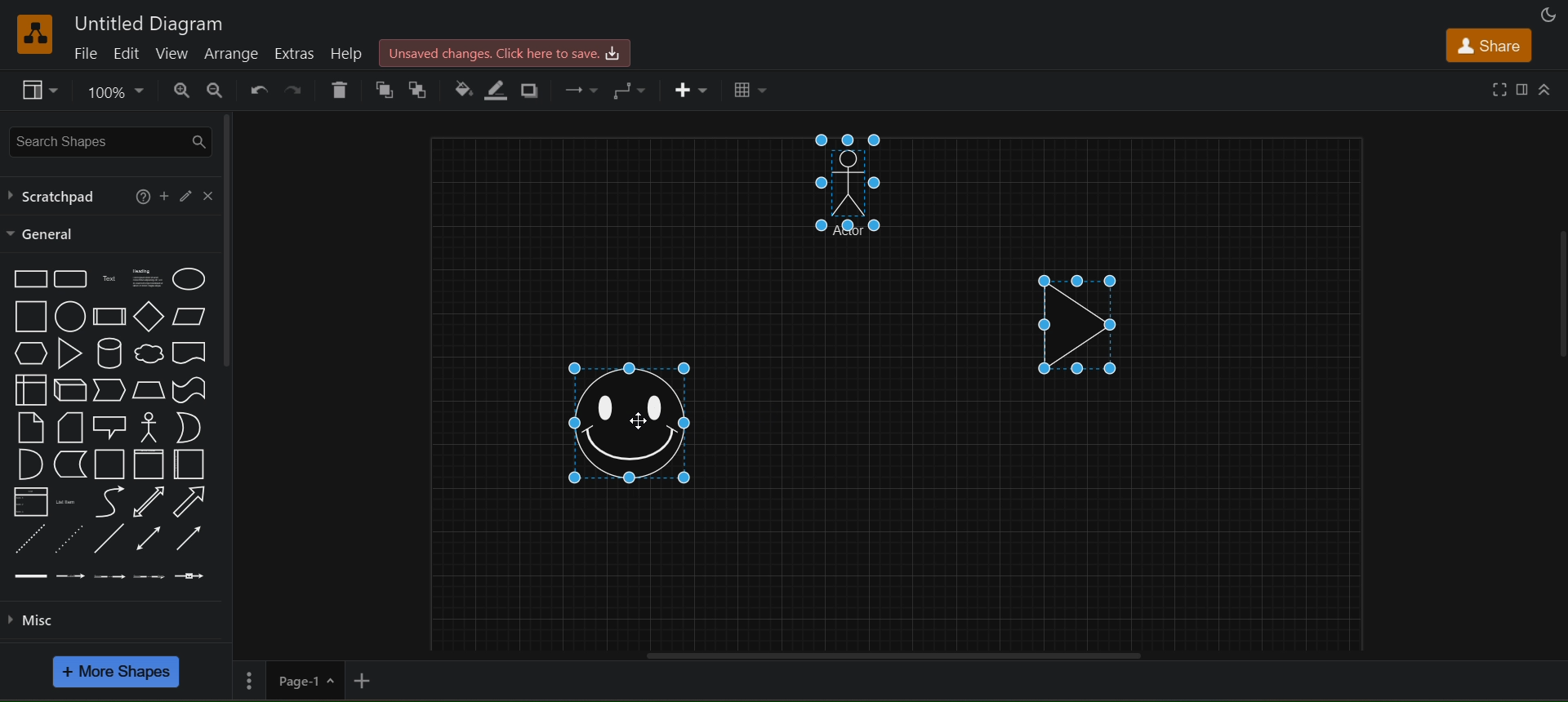  I want to click on fill color , so click(461, 86).